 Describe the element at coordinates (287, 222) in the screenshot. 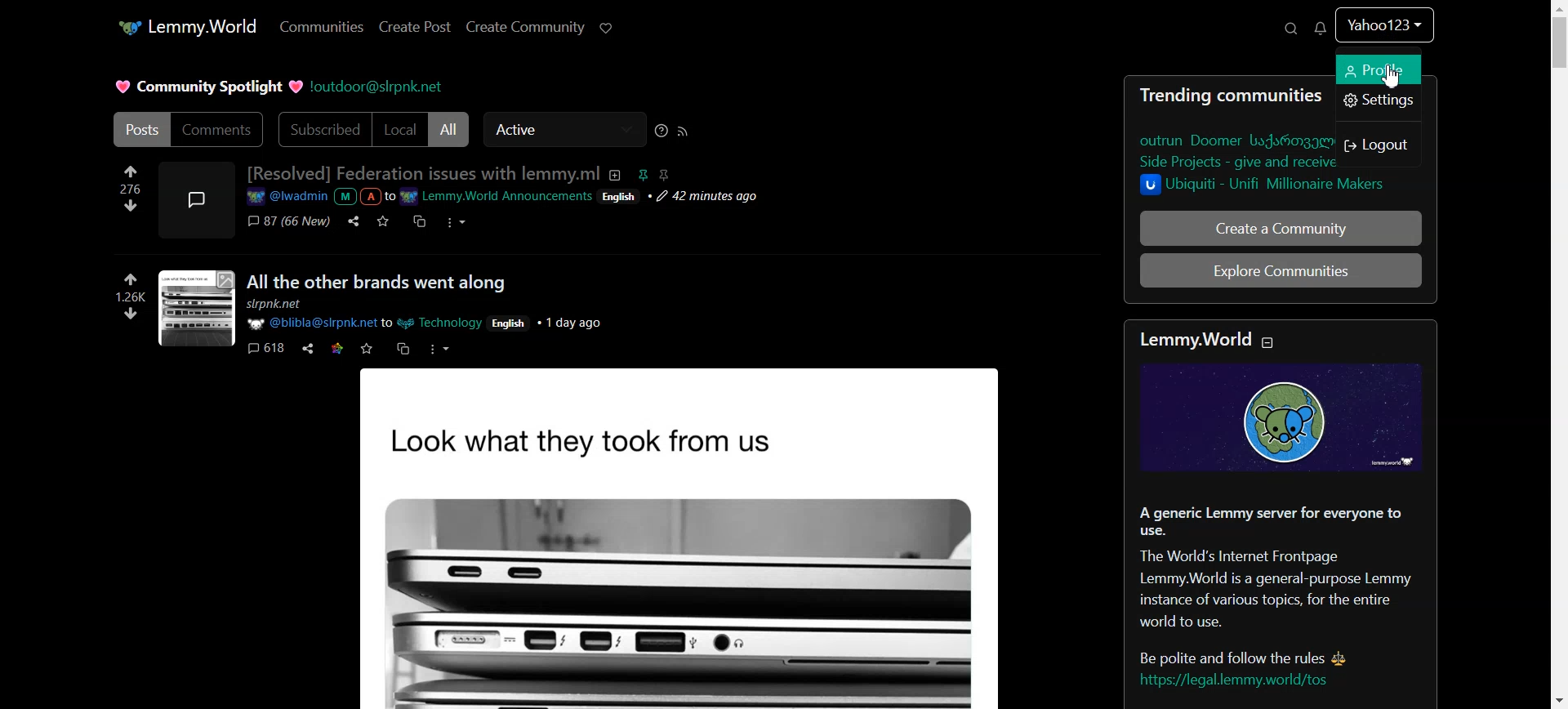

I see `87 (66 New)` at that location.